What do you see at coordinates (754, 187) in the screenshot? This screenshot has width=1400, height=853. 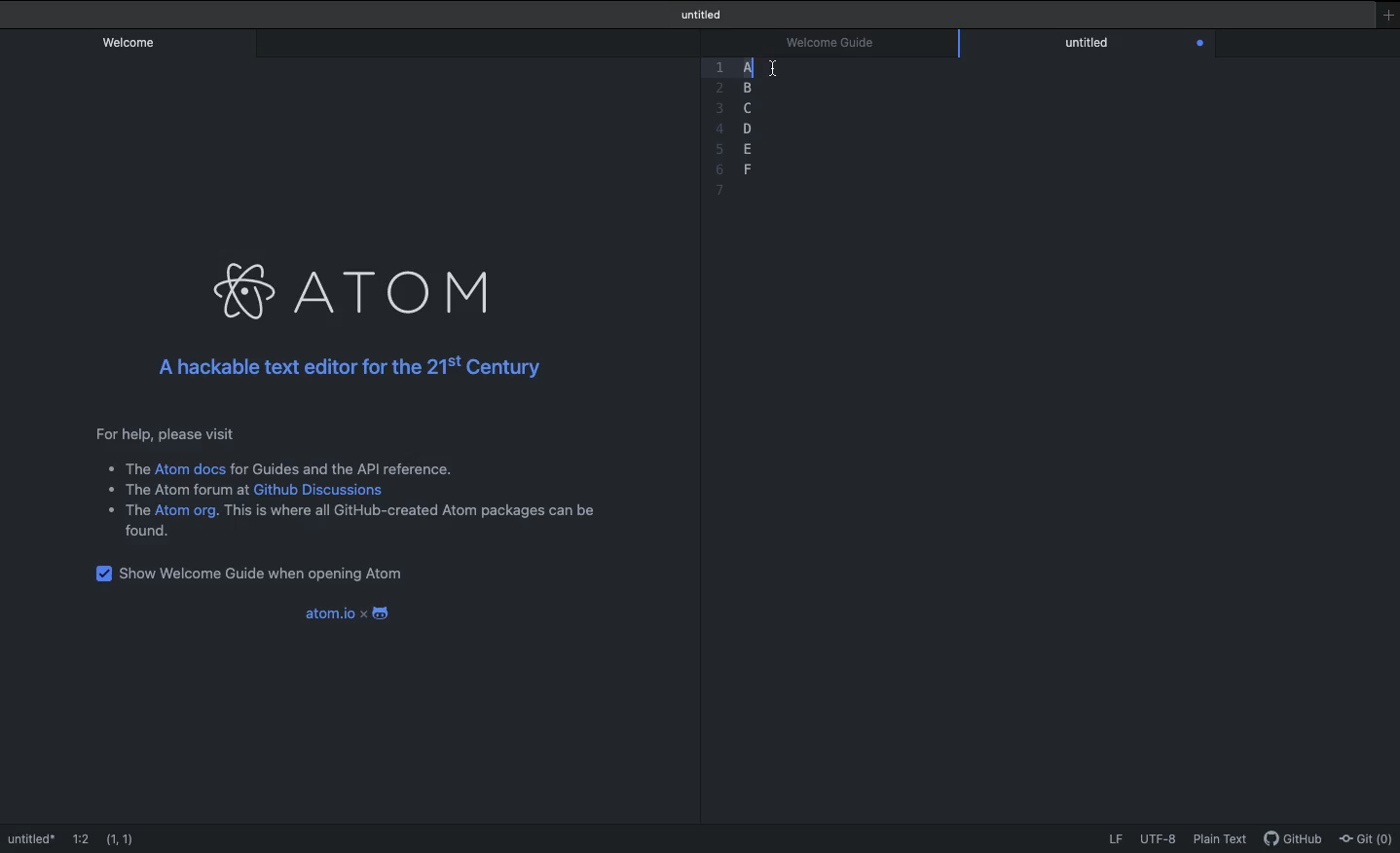 I see `blank` at bounding box center [754, 187].